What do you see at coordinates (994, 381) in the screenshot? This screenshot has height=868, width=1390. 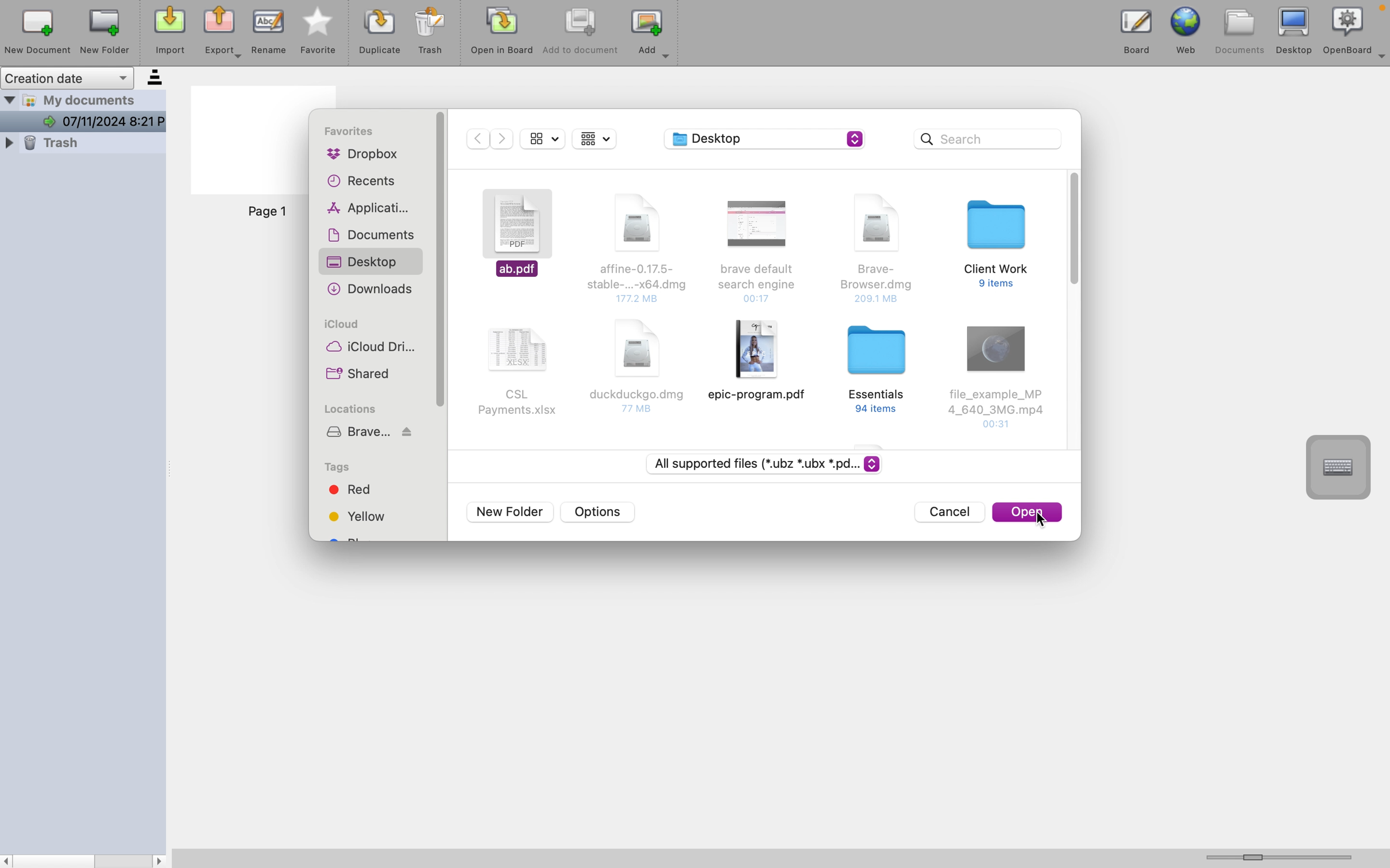 I see `document` at bounding box center [994, 381].